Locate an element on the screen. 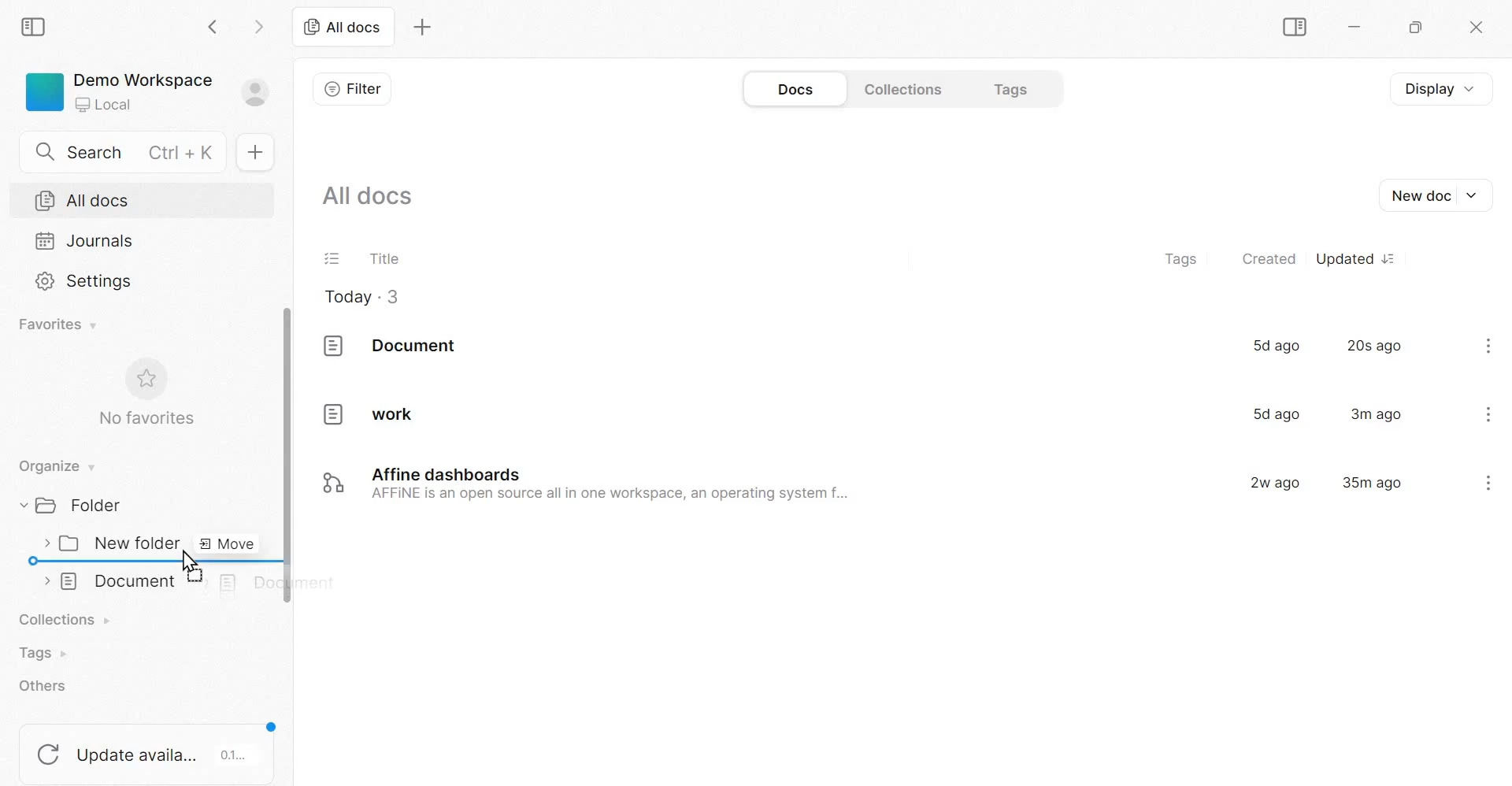 The height and width of the screenshot is (786, 1512). Tags is located at coordinates (1014, 89).